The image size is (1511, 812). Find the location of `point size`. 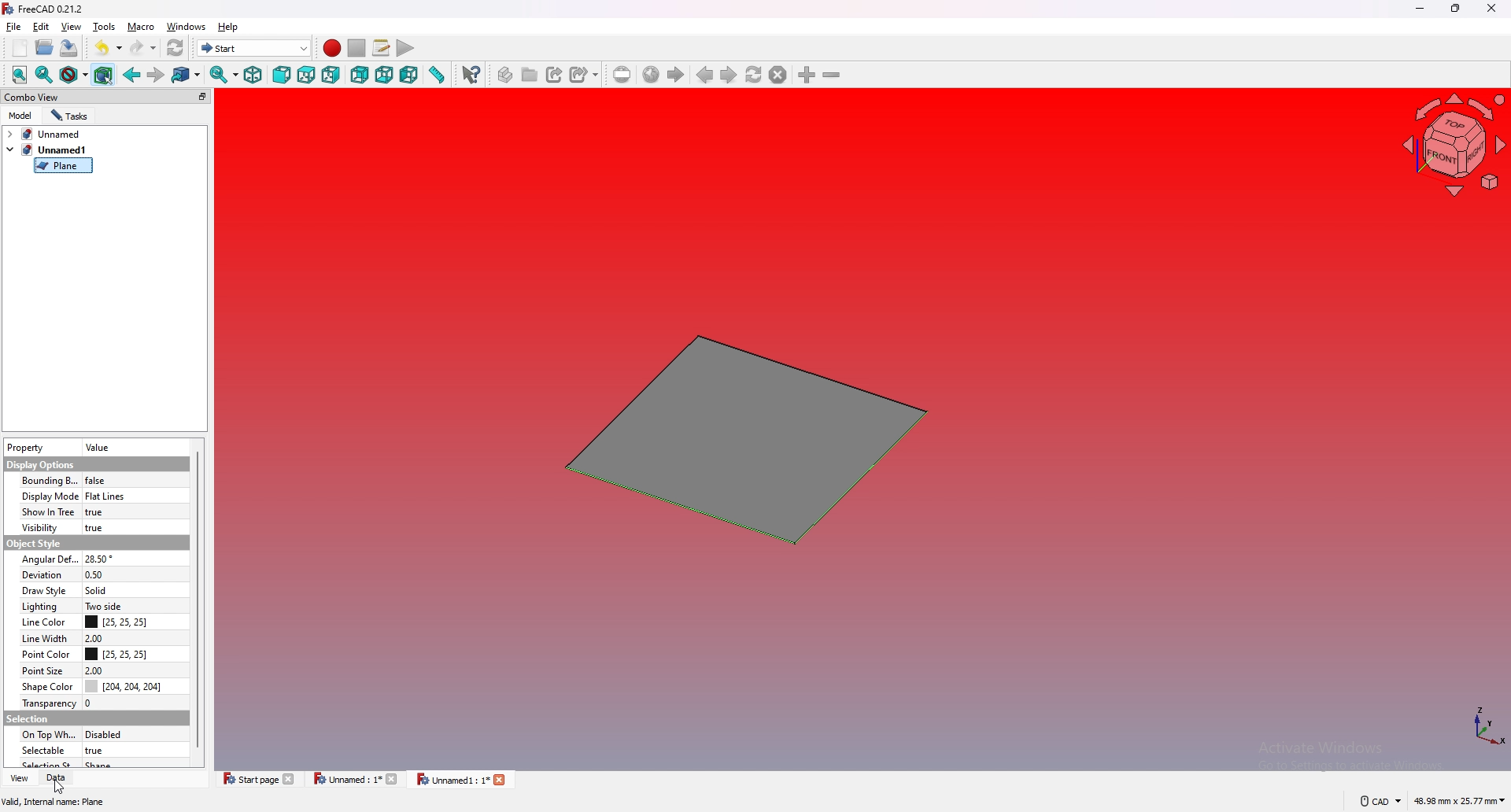

point size is located at coordinates (45, 670).